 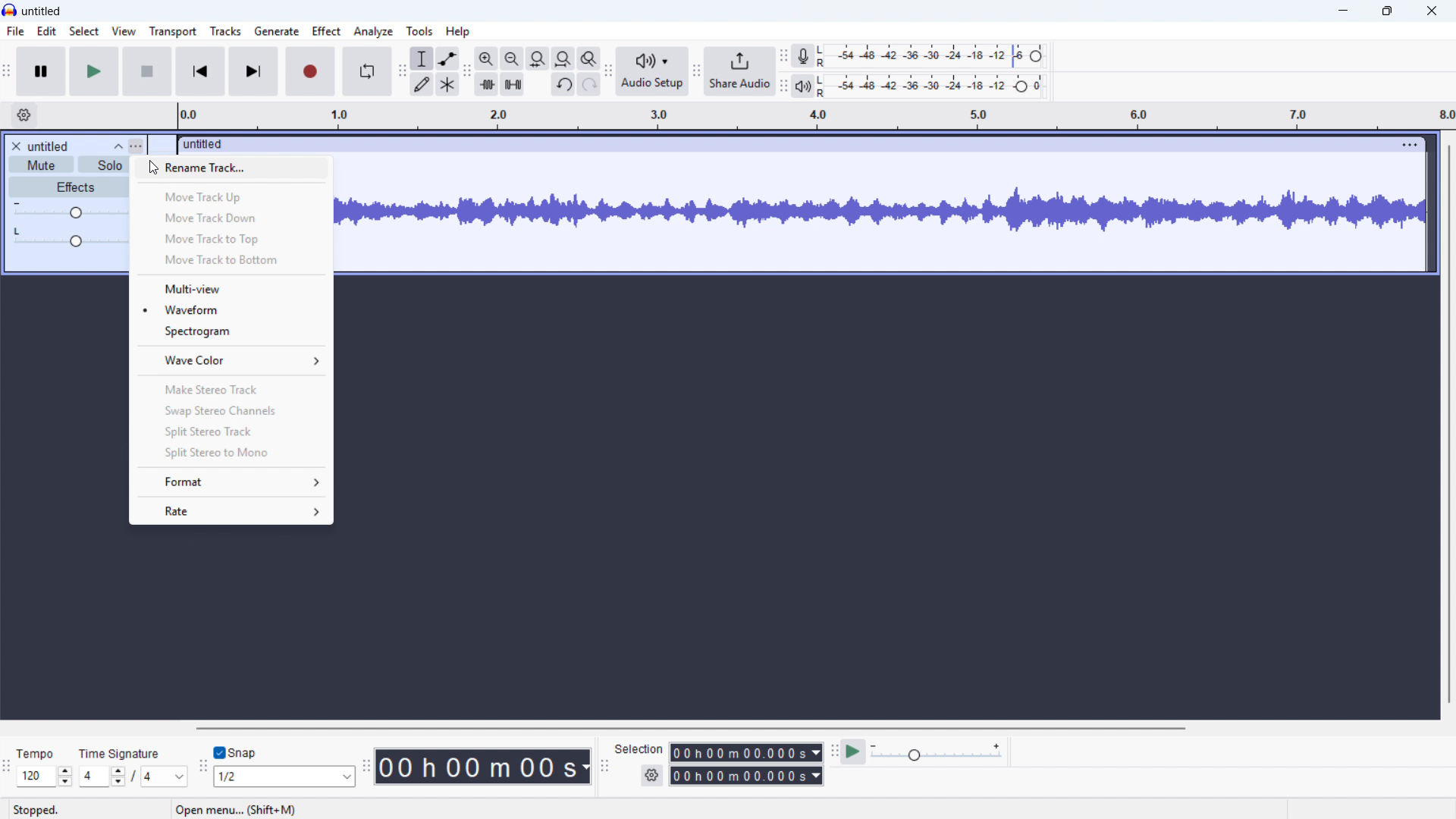 What do you see at coordinates (934, 86) in the screenshot?
I see `Playback level ` at bounding box center [934, 86].